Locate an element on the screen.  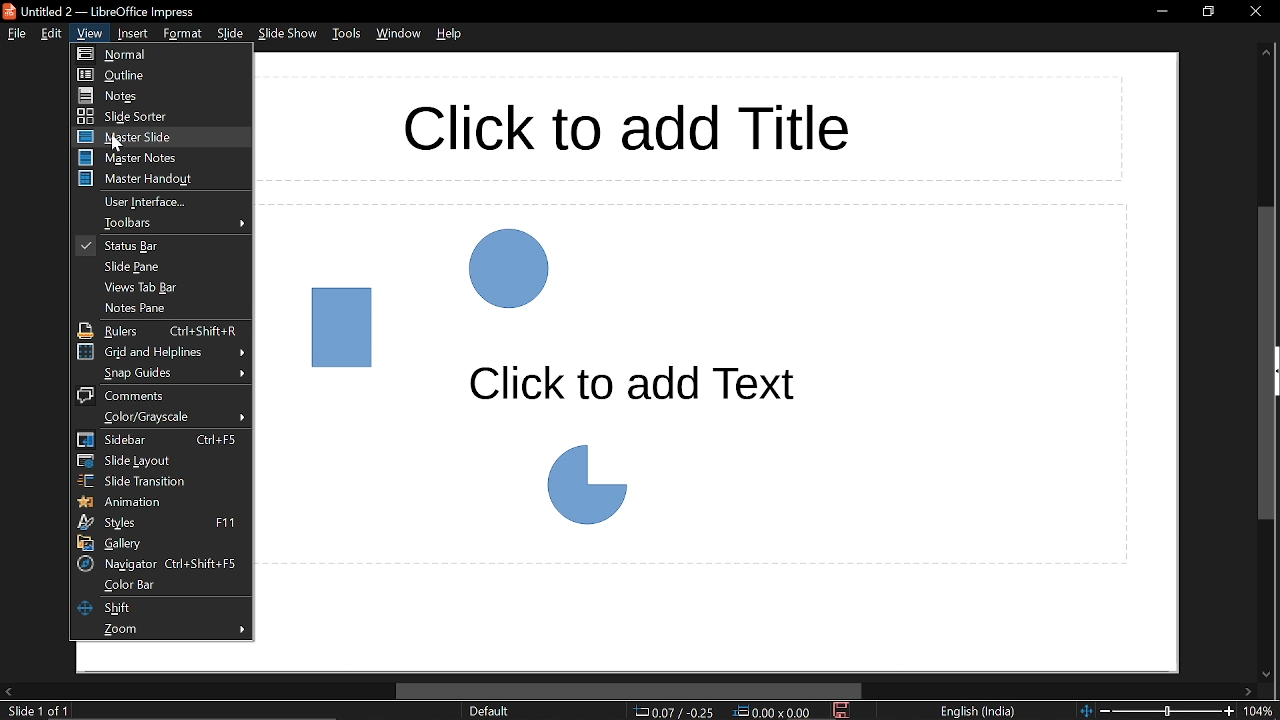
Language is located at coordinates (981, 710).